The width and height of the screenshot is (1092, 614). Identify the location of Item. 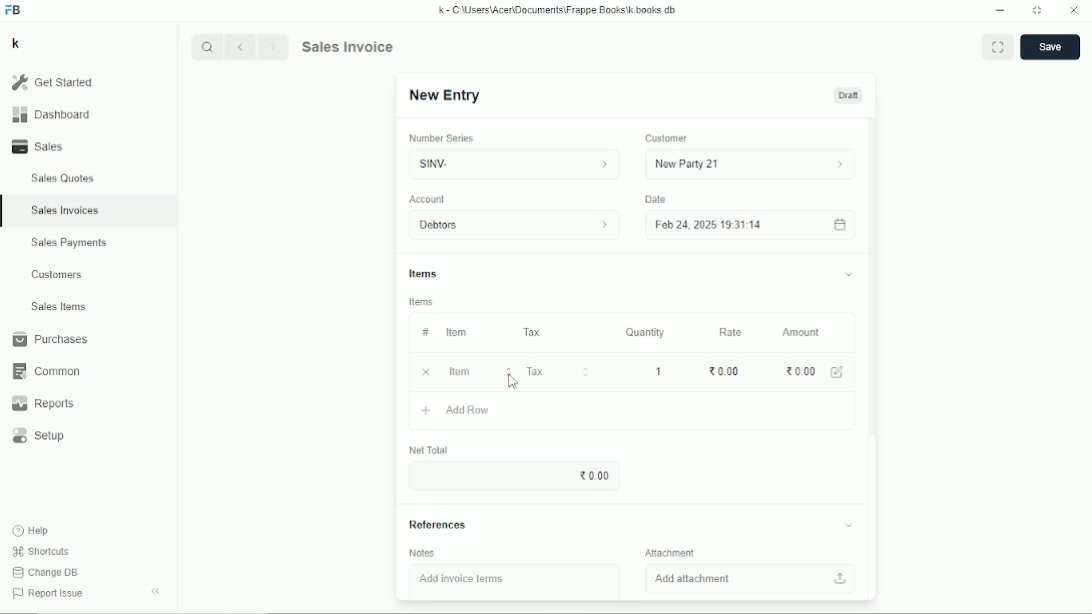
(480, 371).